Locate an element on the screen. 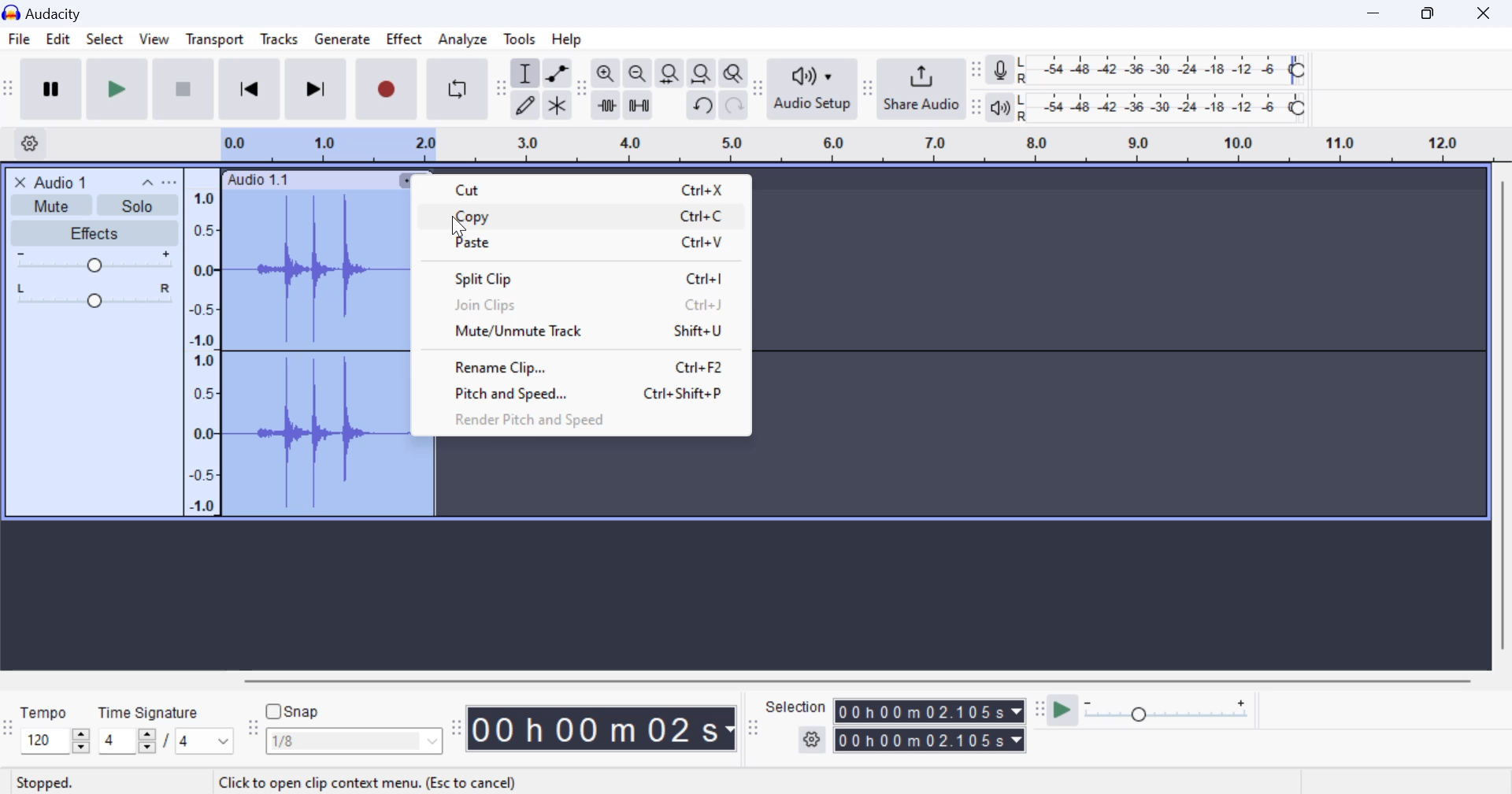 The image size is (1512, 794). Edit is located at coordinates (57, 42).